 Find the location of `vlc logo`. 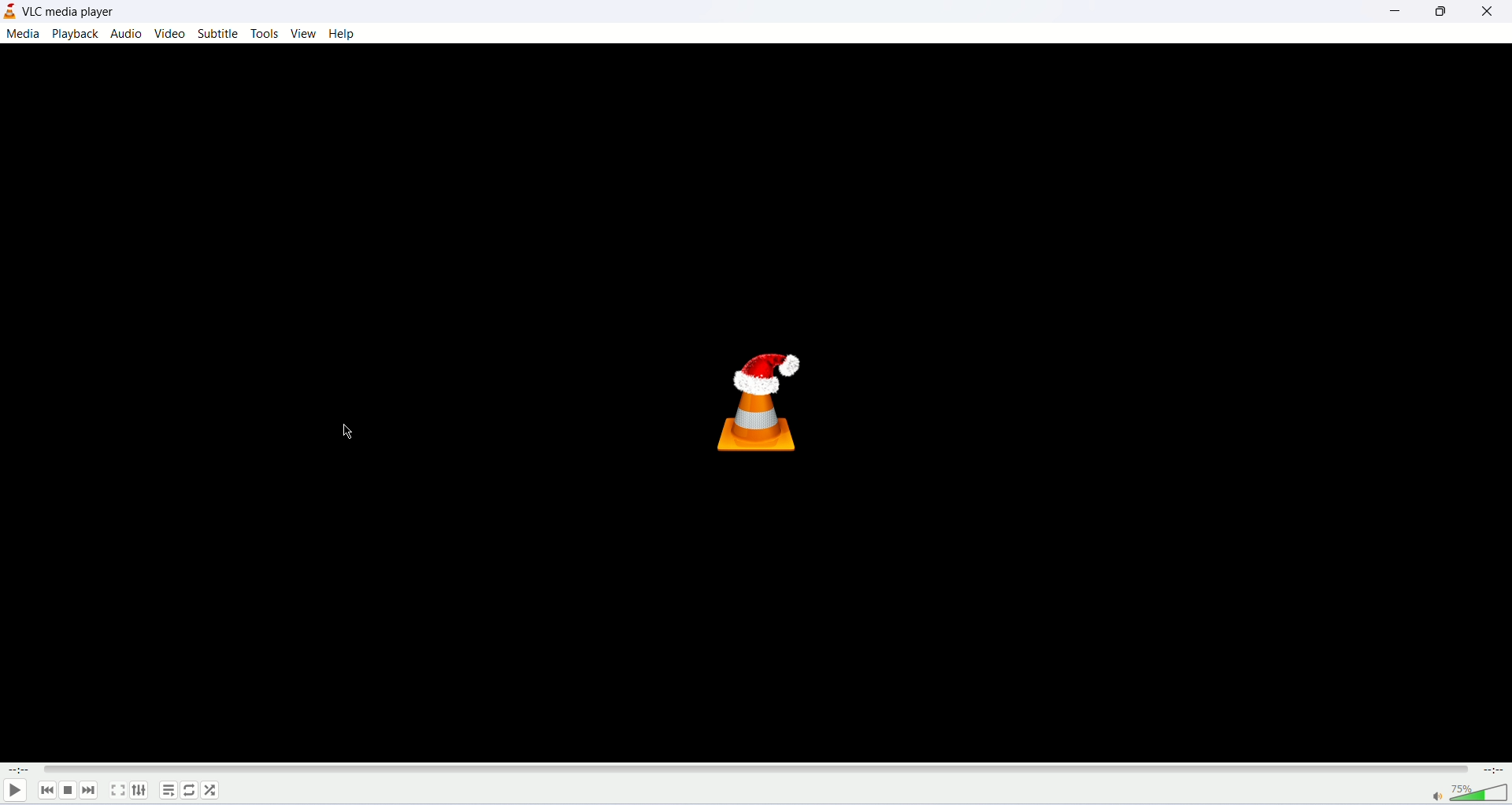

vlc logo is located at coordinates (752, 394).